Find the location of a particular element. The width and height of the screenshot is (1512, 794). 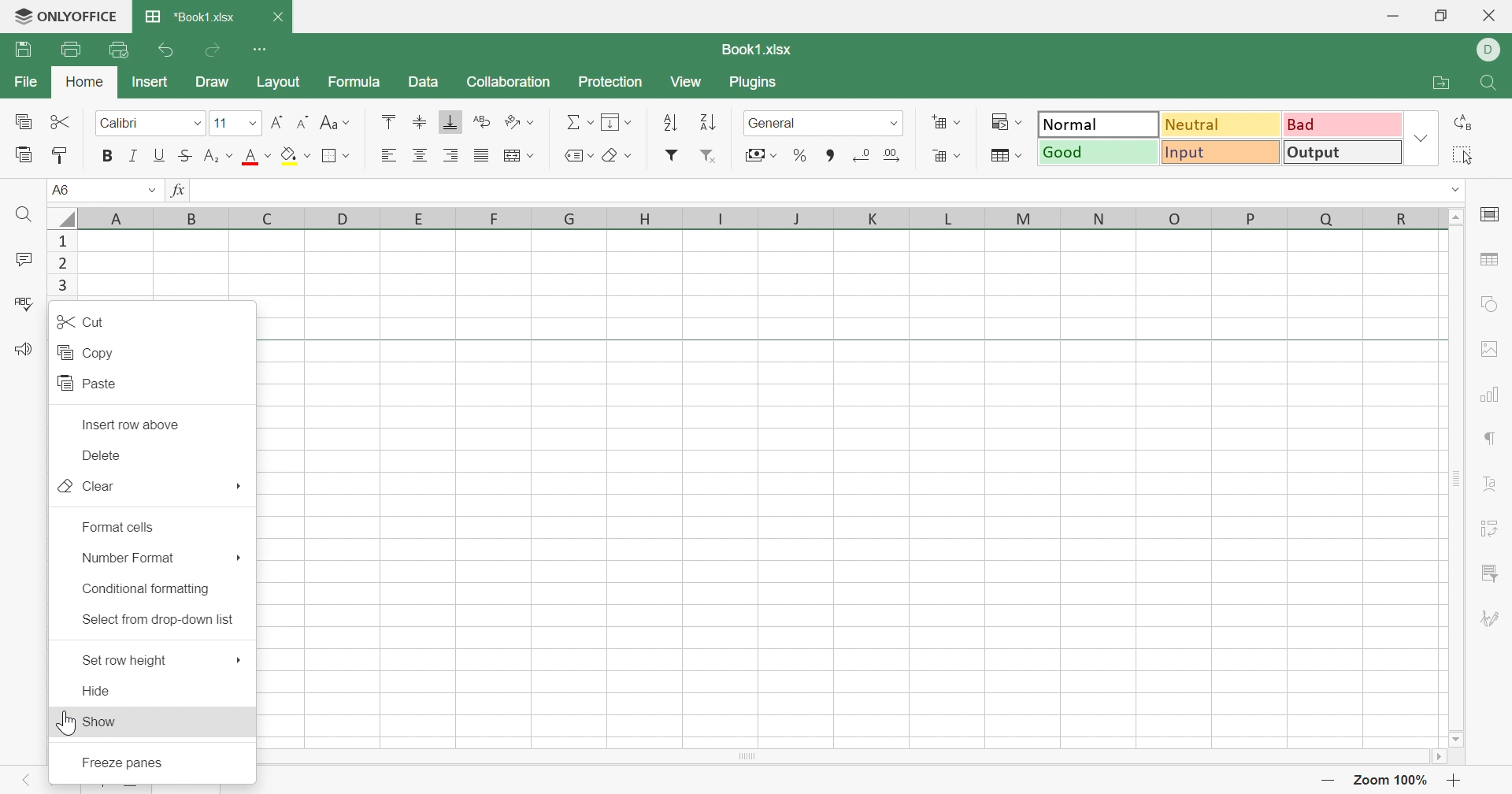

Find is located at coordinates (25, 217).